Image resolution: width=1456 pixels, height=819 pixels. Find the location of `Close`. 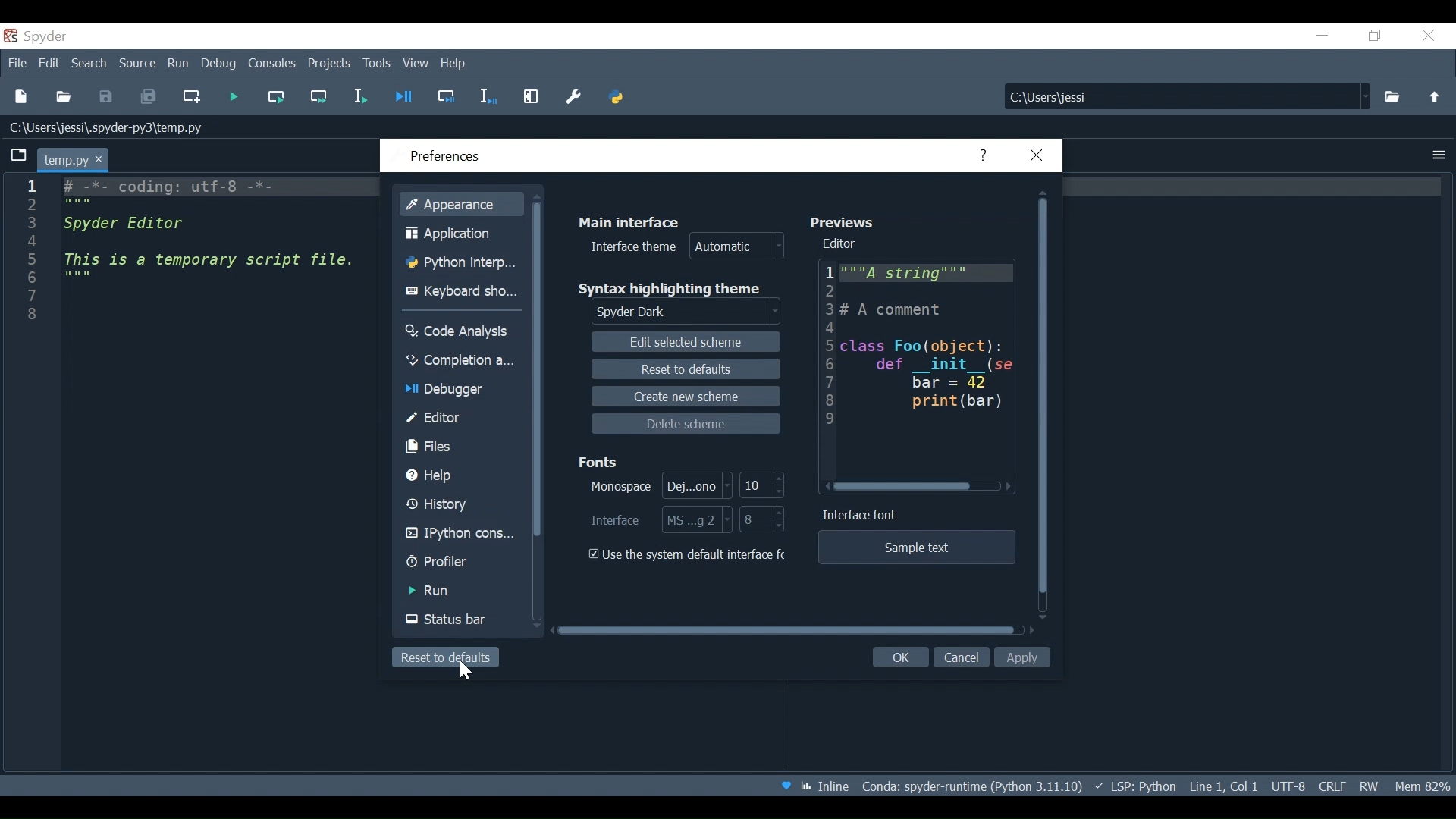

Close is located at coordinates (1426, 36).